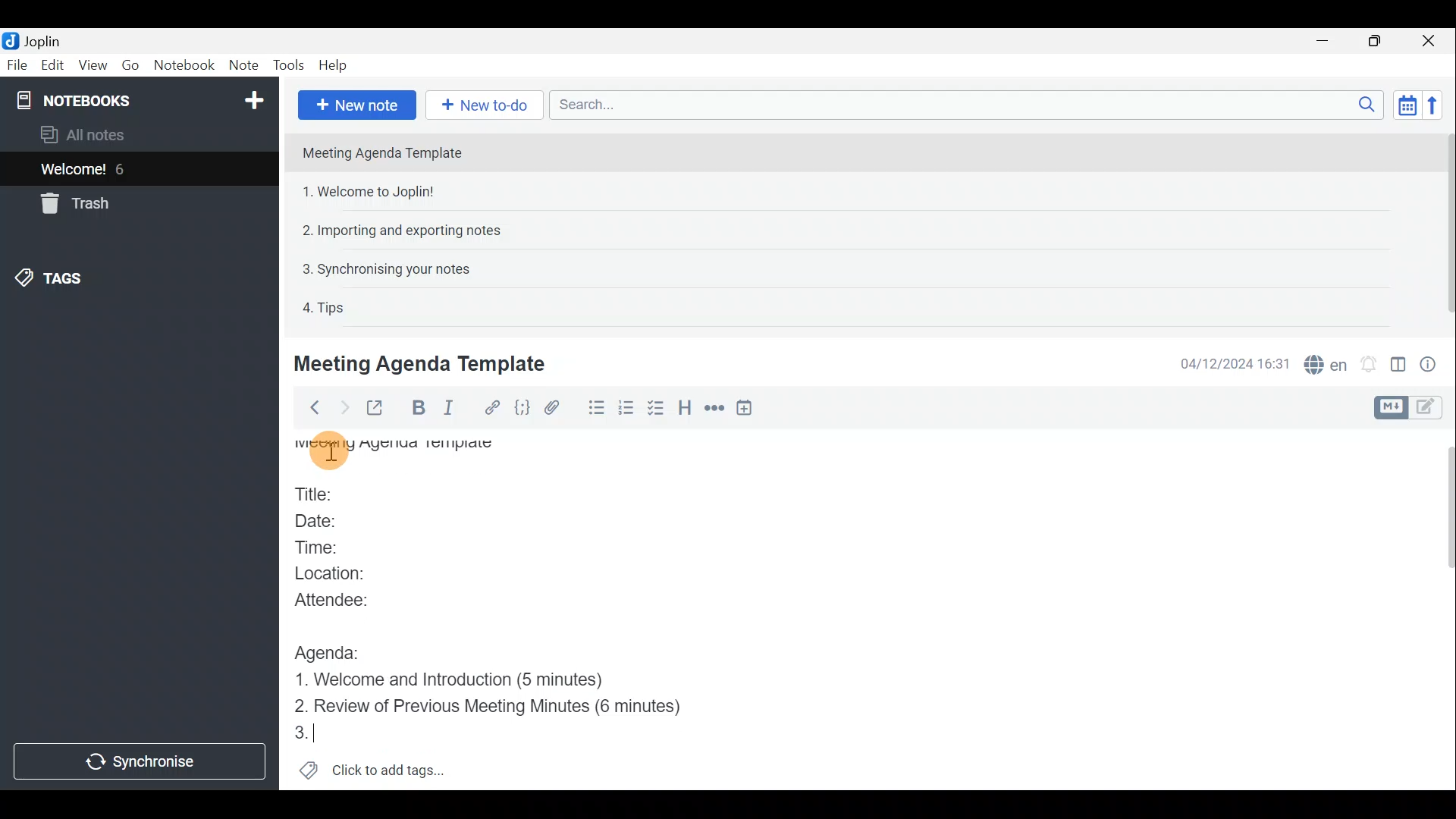  What do you see at coordinates (373, 191) in the screenshot?
I see `1. Welcome to Joplin!` at bounding box center [373, 191].